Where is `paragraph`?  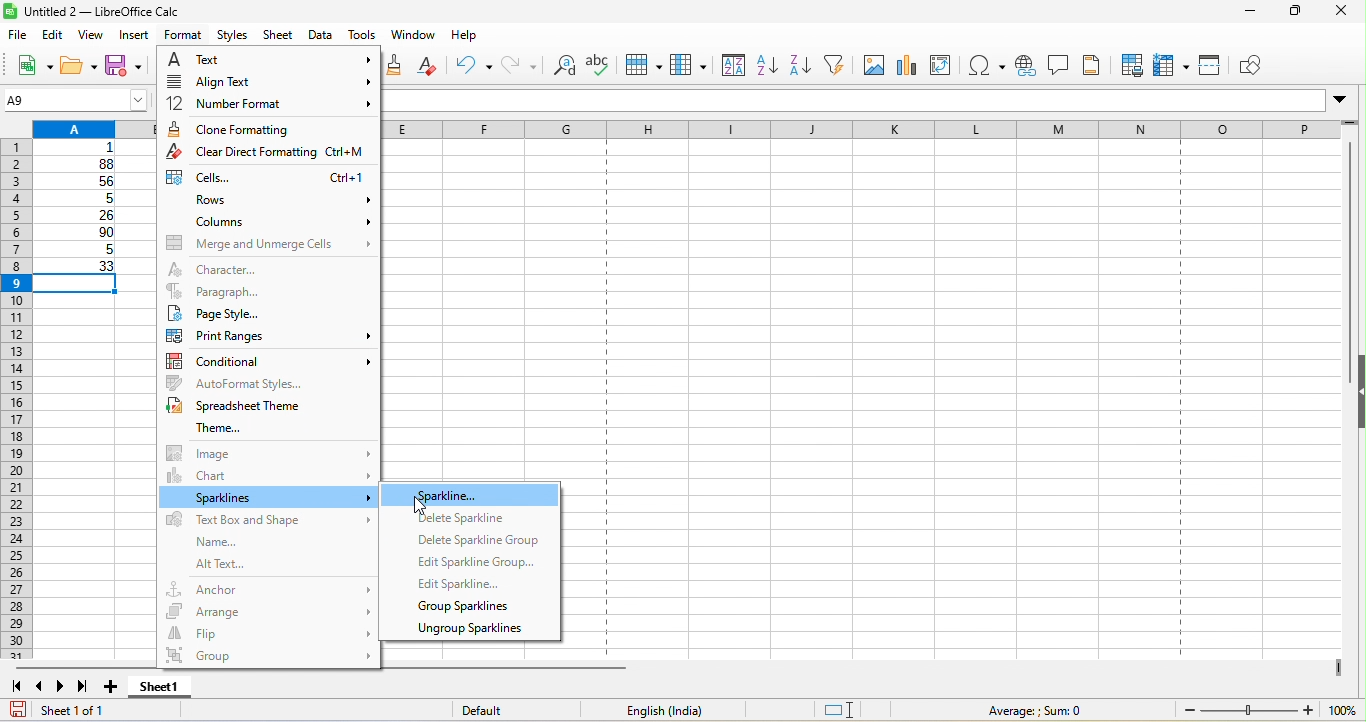 paragraph is located at coordinates (267, 291).